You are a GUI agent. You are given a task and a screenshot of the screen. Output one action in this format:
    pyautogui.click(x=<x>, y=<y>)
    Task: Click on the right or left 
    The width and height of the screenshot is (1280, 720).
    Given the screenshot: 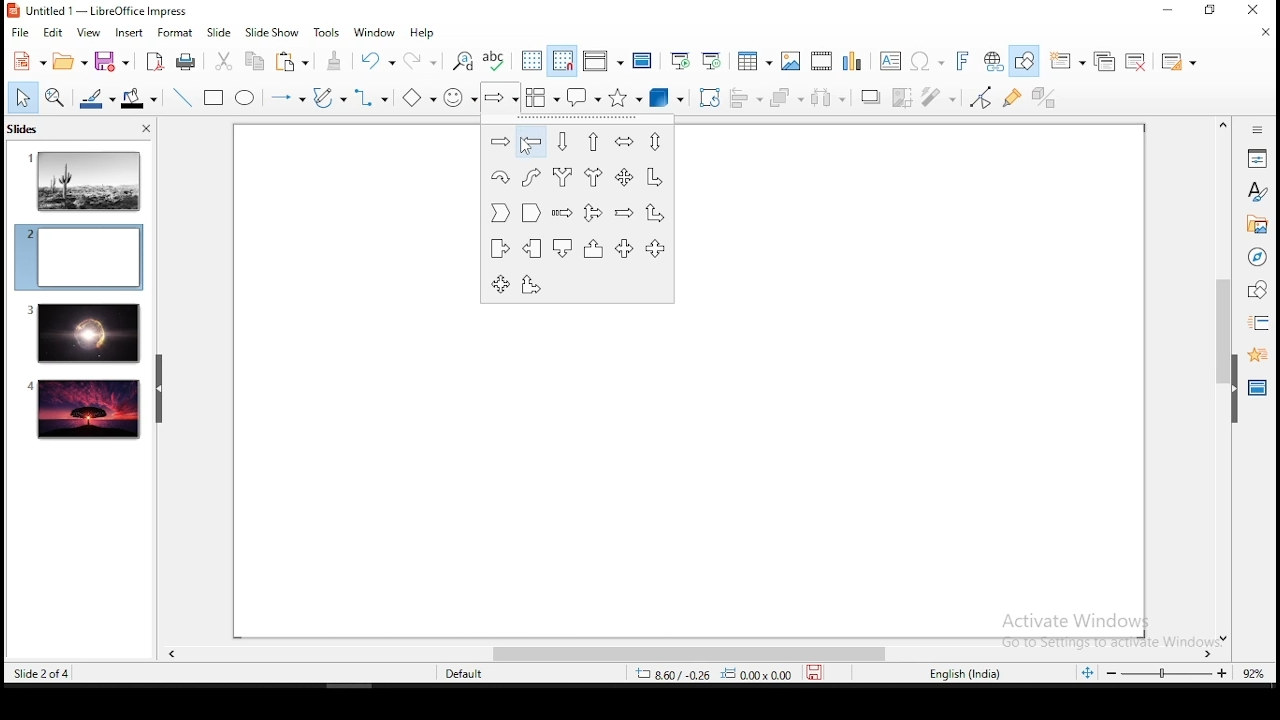 What is the action you would take?
    pyautogui.click(x=593, y=177)
    